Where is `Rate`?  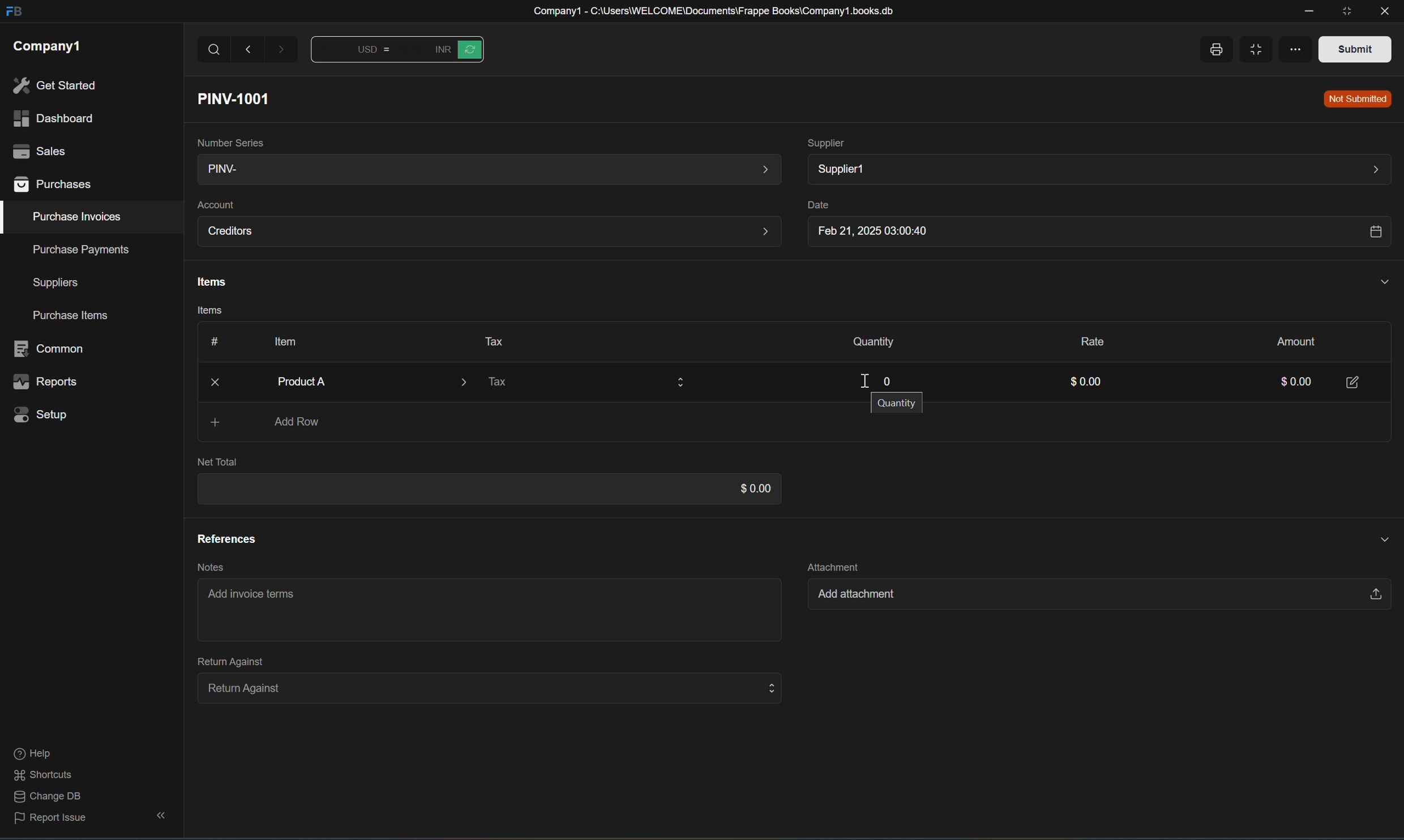 Rate is located at coordinates (1086, 339).